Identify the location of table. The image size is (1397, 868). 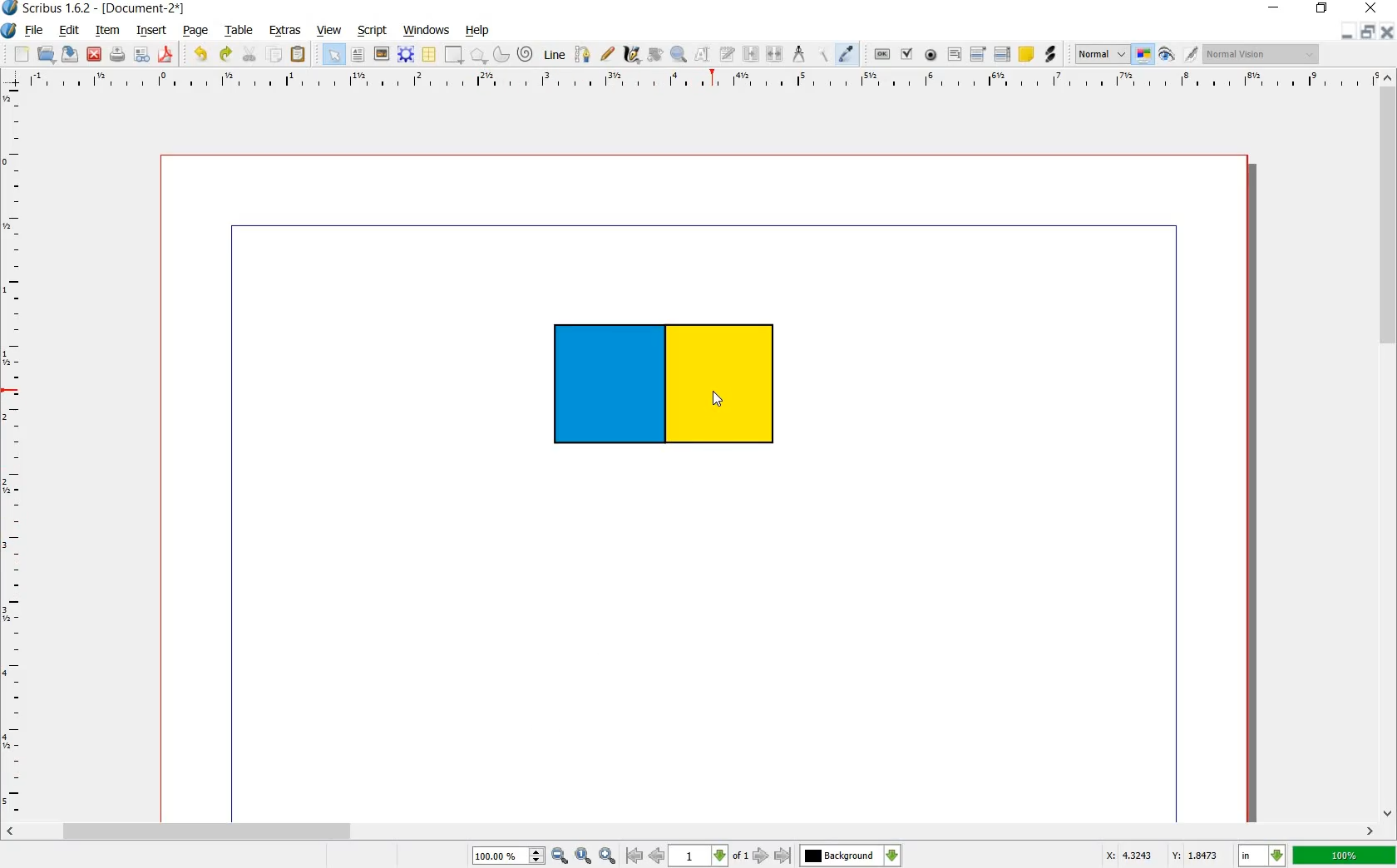
(242, 30).